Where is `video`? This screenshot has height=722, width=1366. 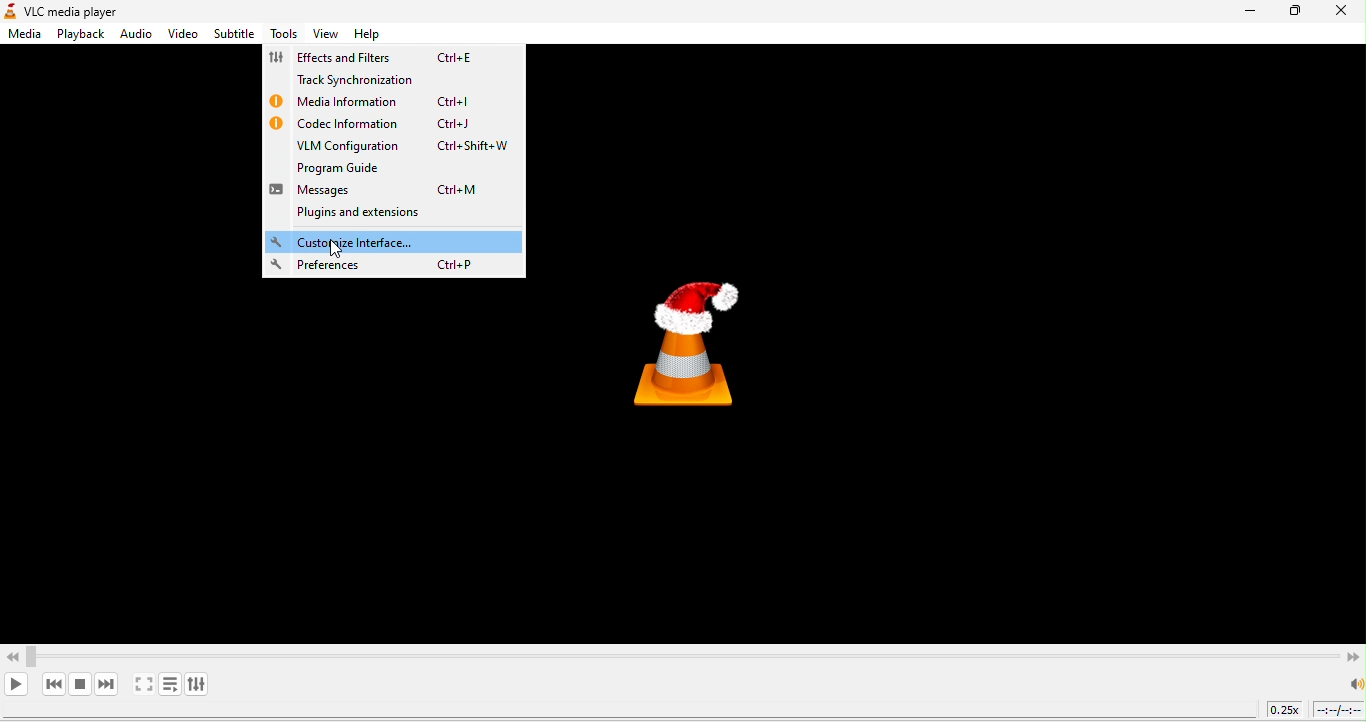 video is located at coordinates (181, 35).